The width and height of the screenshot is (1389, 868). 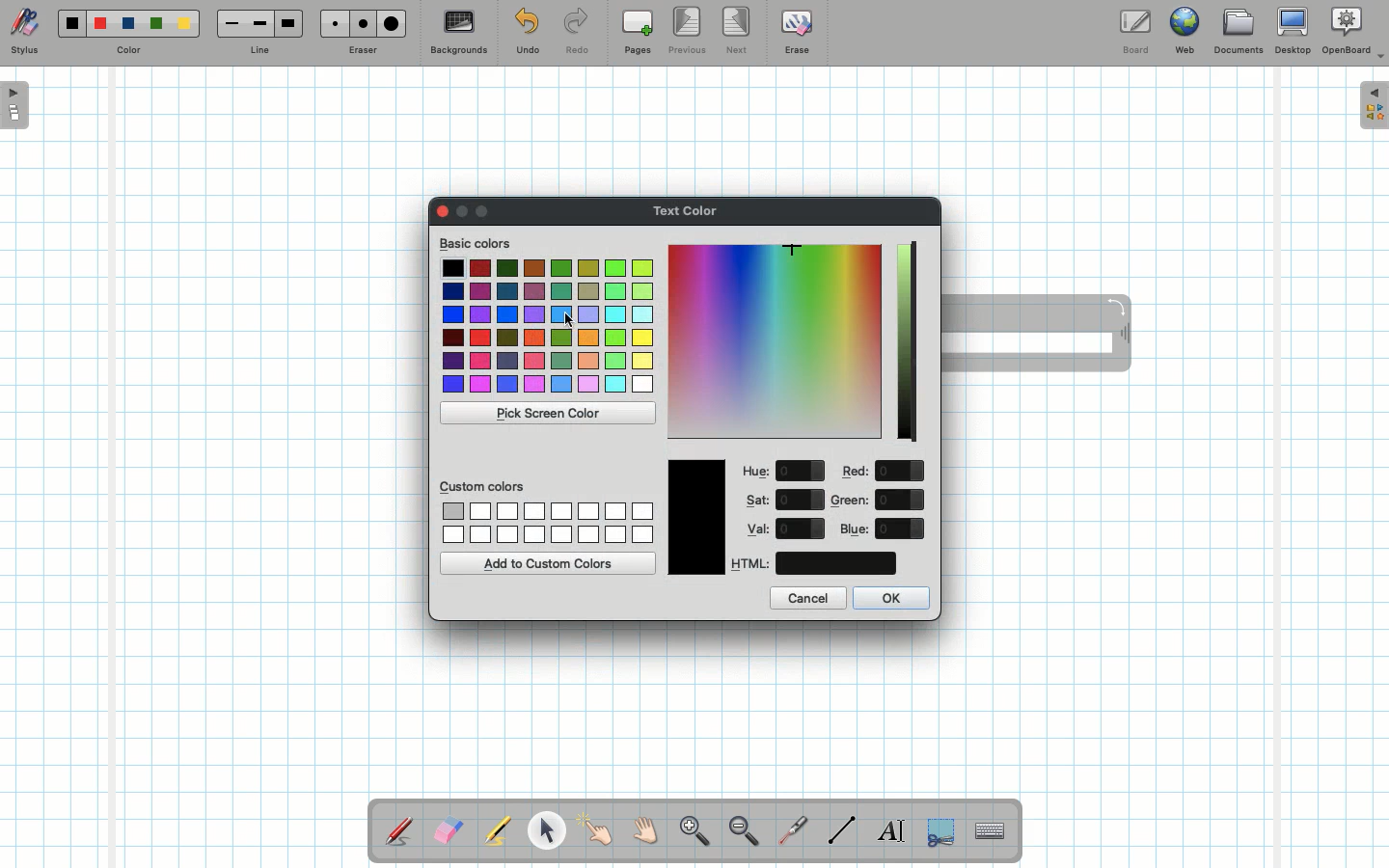 What do you see at coordinates (360, 23) in the screenshot?
I see `Medium eraser` at bounding box center [360, 23].